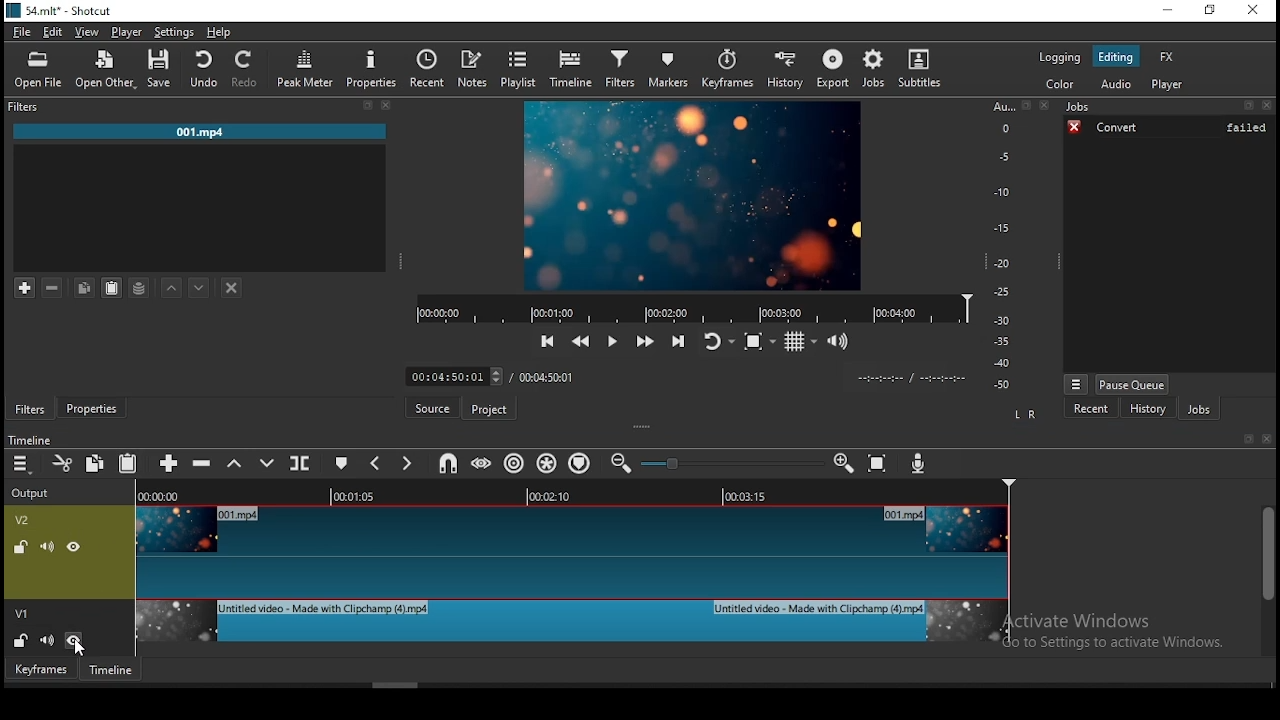  What do you see at coordinates (583, 343) in the screenshot?
I see `play quickly backwards` at bounding box center [583, 343].